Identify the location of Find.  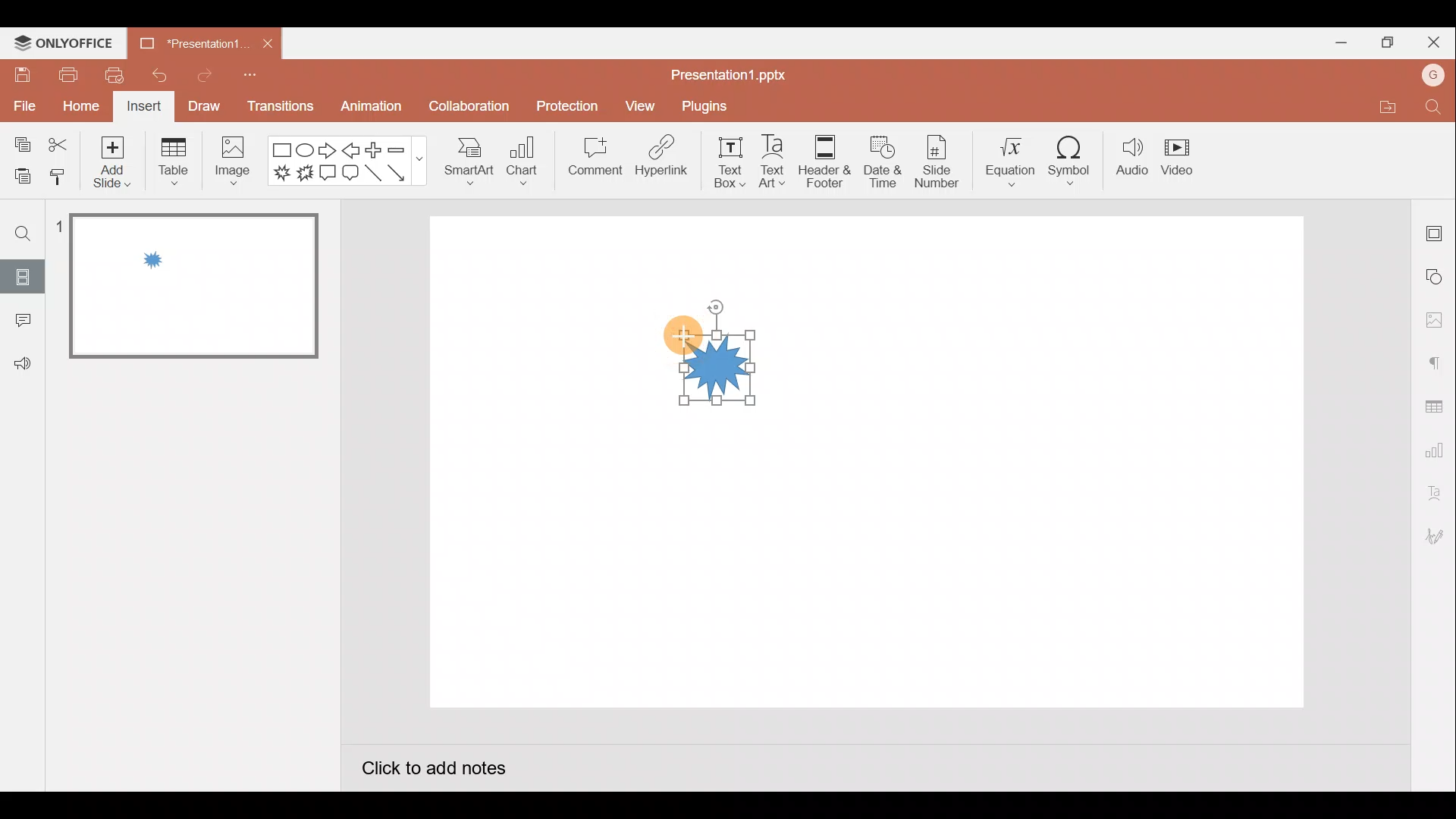
(1438, 108).